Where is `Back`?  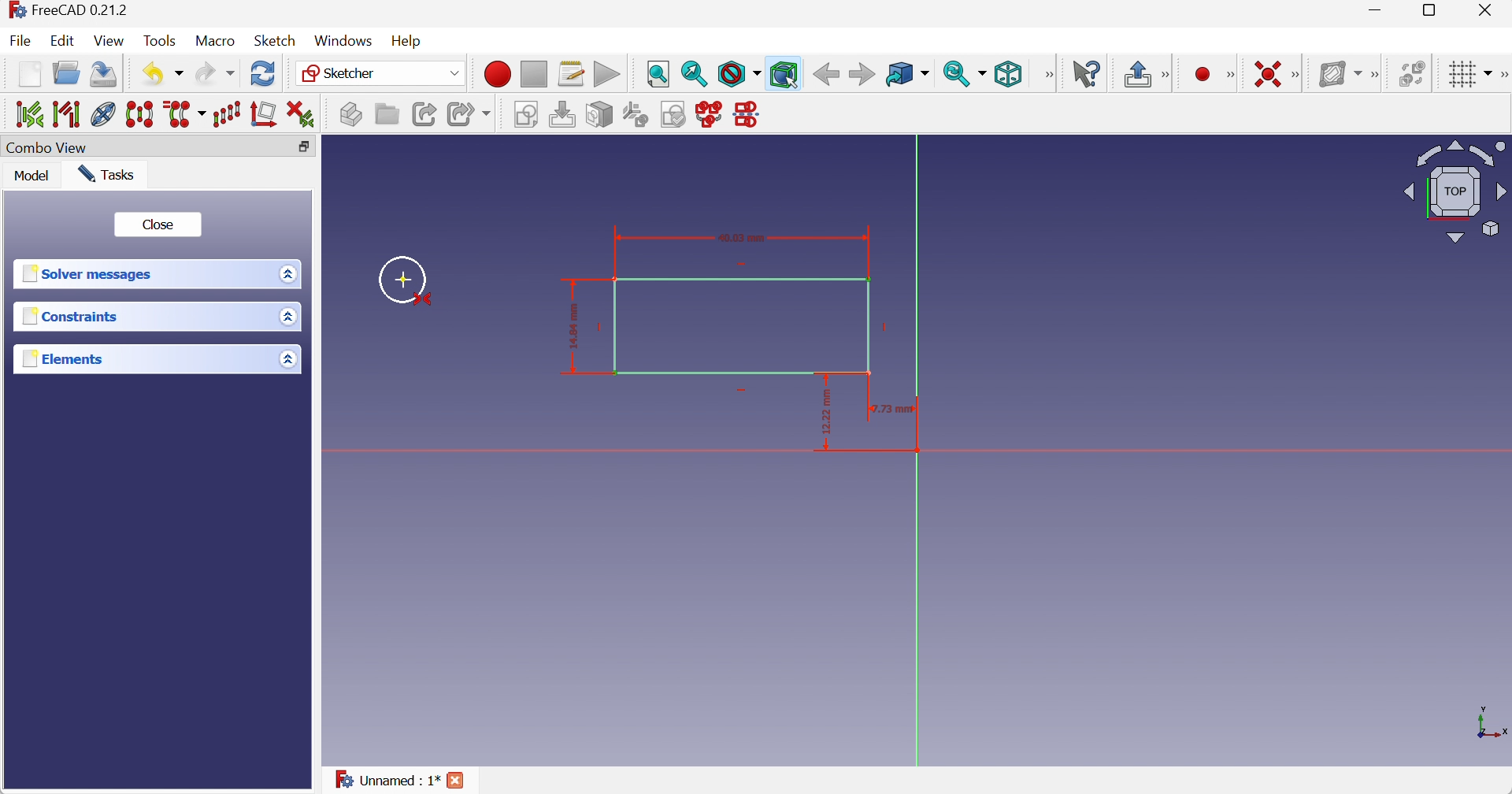 Back is located at coordinates (825, 75).